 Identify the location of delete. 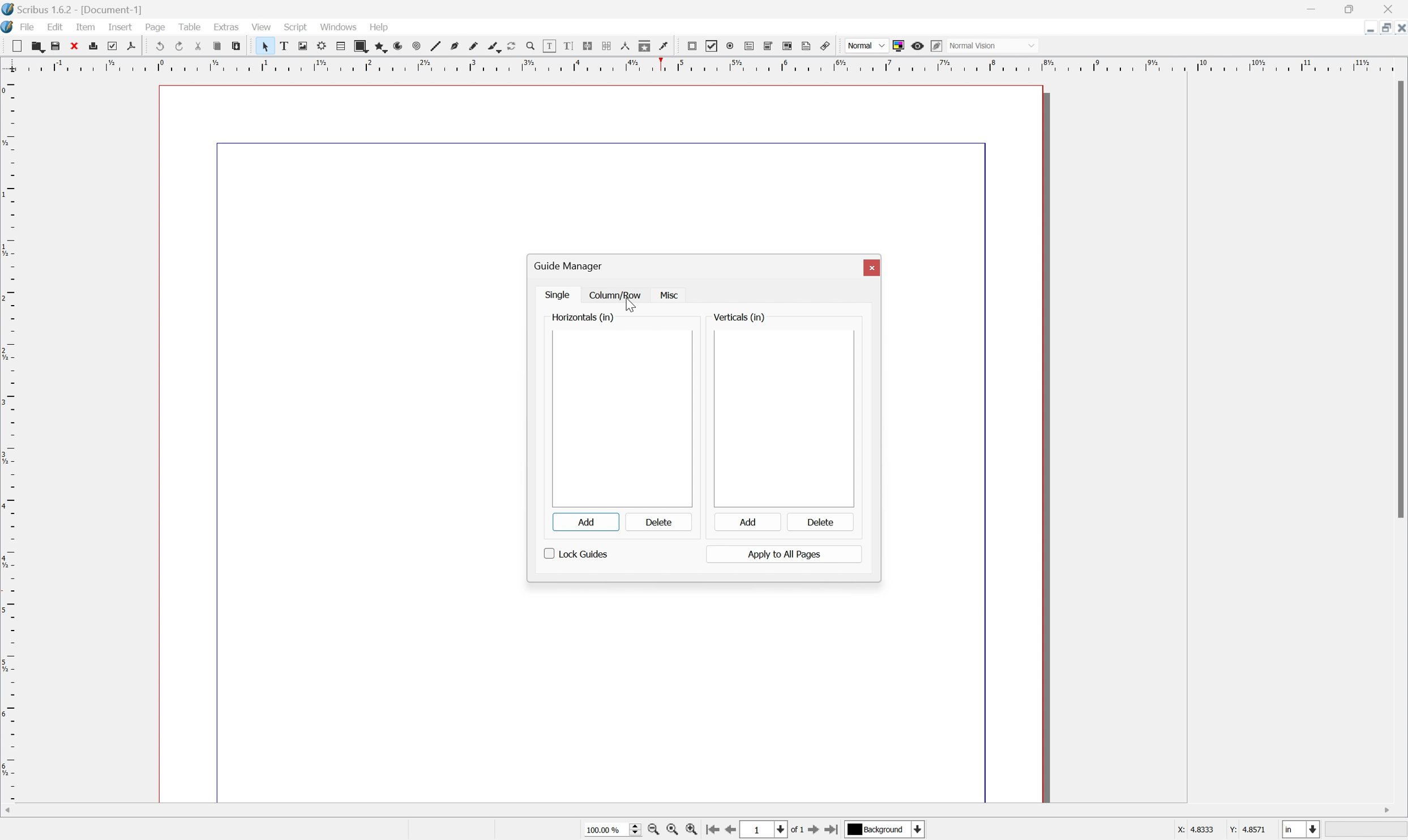
(819, 521).